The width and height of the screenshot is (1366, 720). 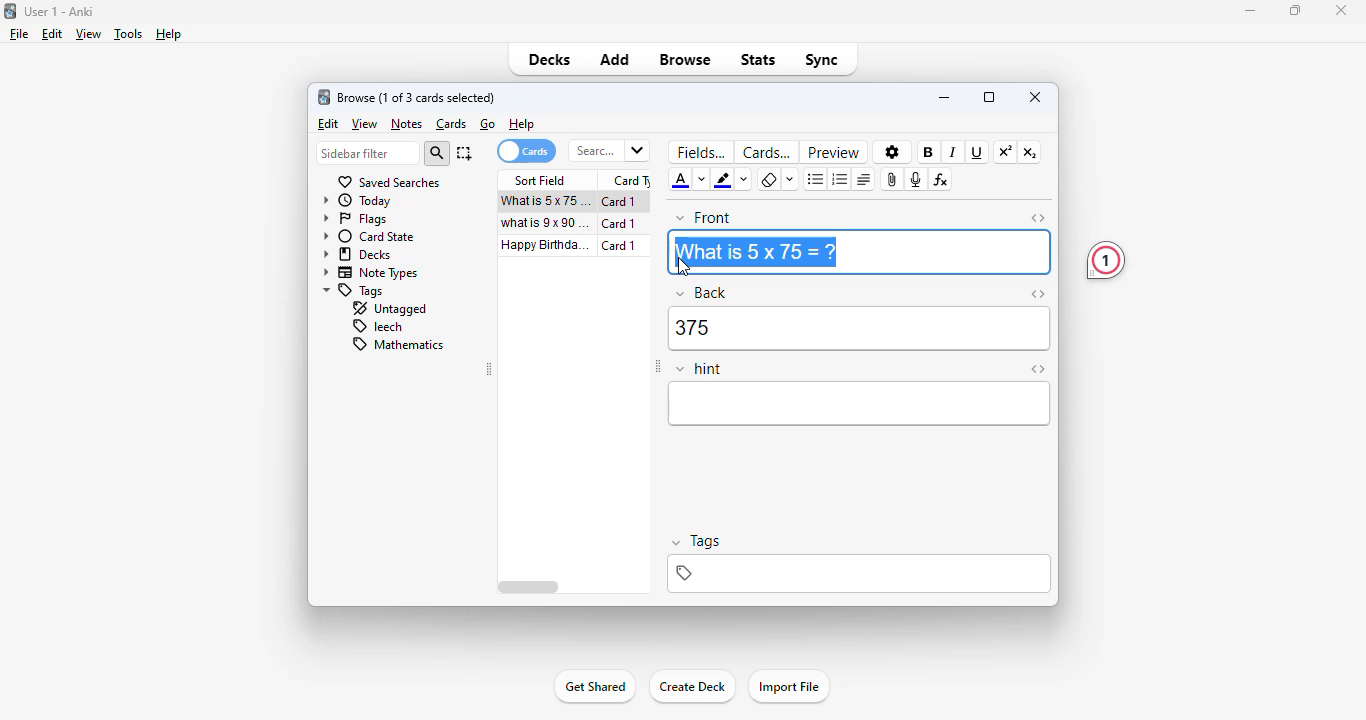 What do you see at coordinates (616, 59) in the screenshot?
I see `add` at bounding box center [616, 59].